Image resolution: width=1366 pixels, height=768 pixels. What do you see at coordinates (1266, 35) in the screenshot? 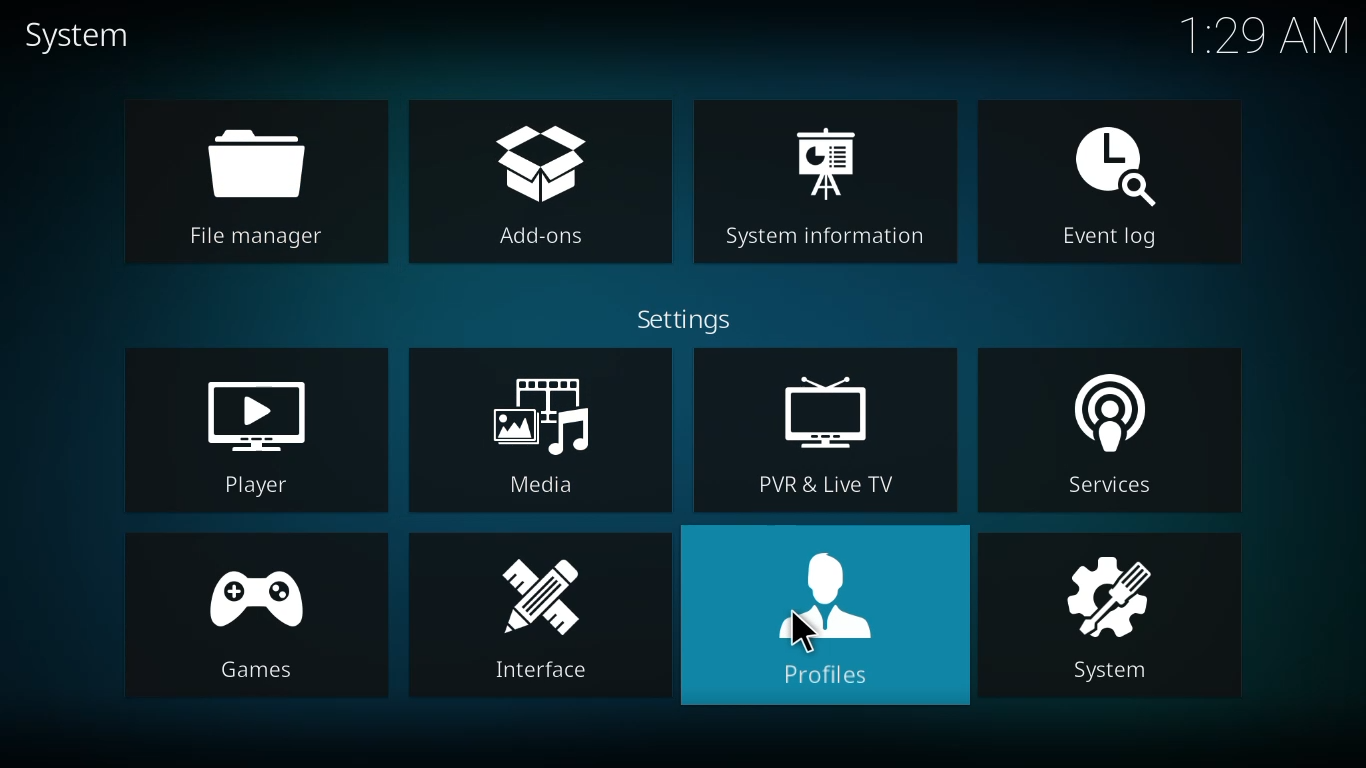
I see `time` at bounding box center [1266, 35].